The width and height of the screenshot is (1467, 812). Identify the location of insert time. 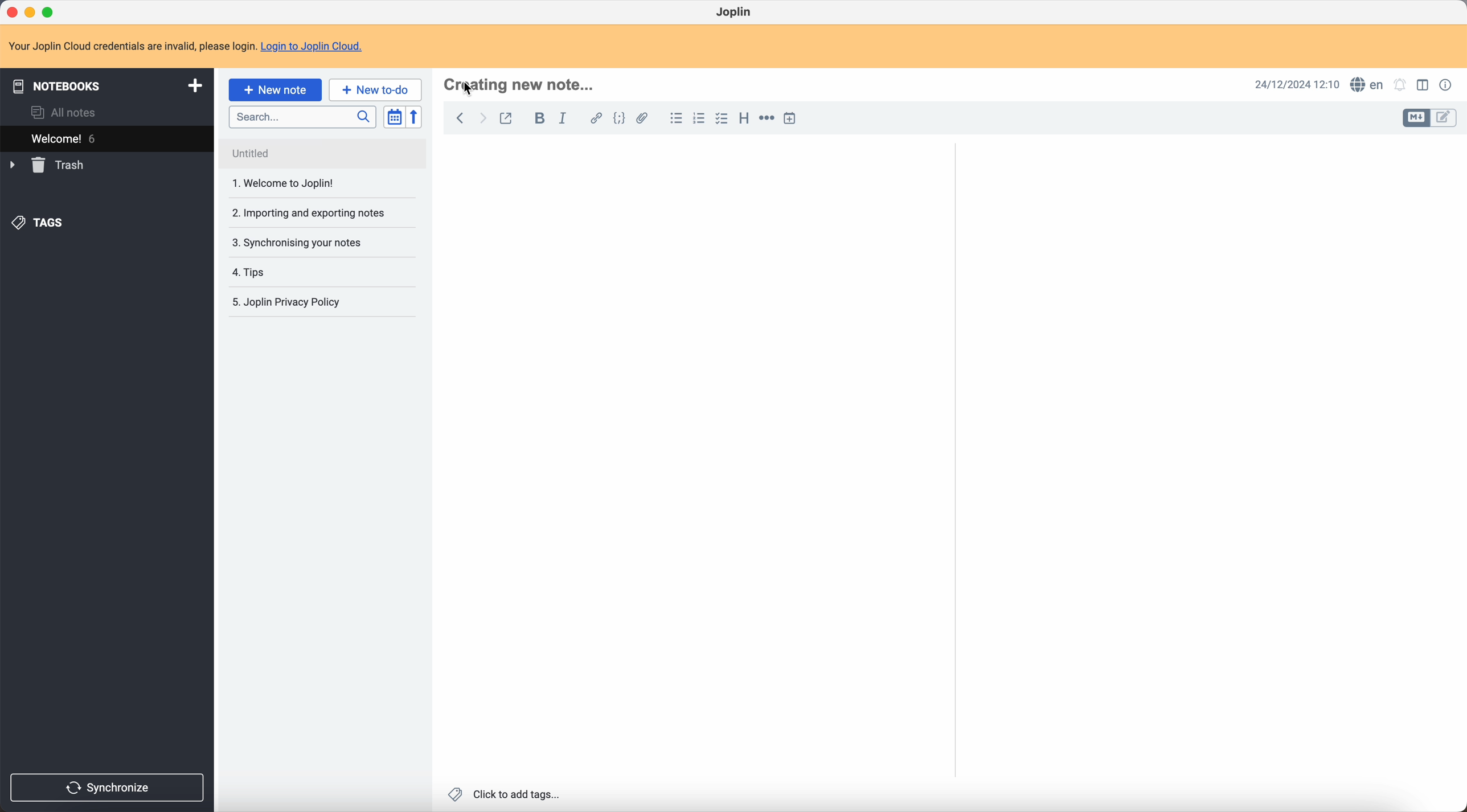
(792, 118).